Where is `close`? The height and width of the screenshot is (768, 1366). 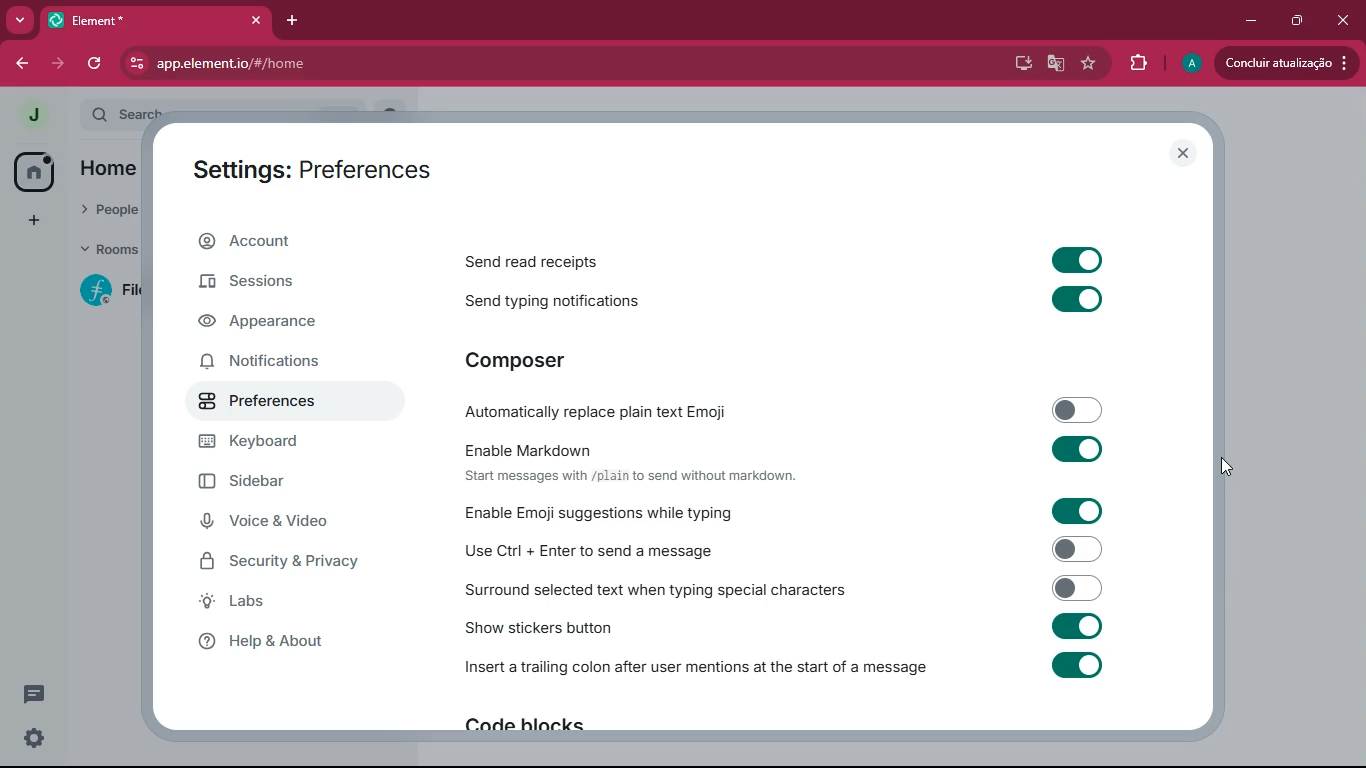 close is located at coordinates (1182, 155).